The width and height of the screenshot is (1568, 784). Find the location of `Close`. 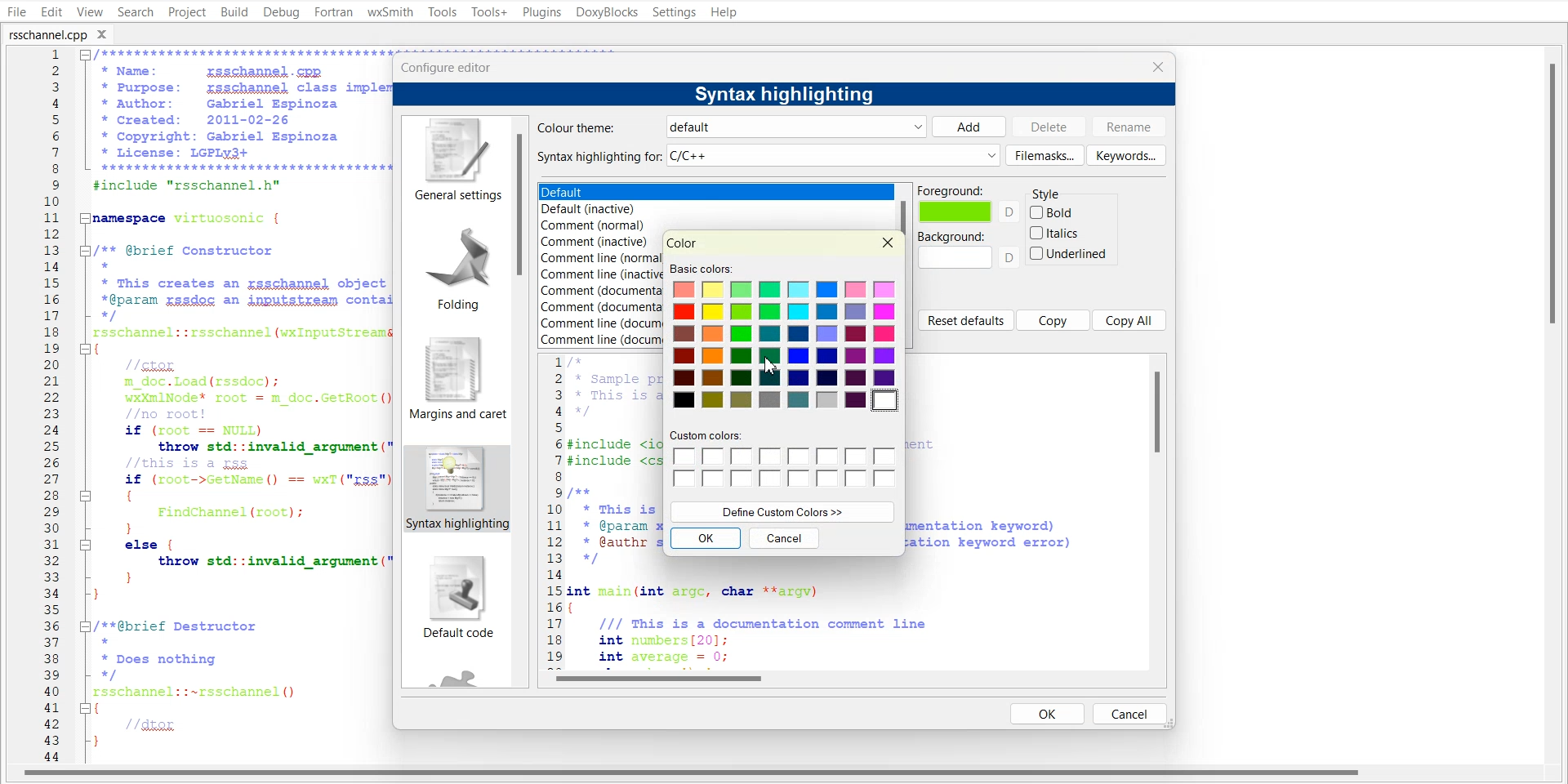

Close is located at coordinates (889, 243).